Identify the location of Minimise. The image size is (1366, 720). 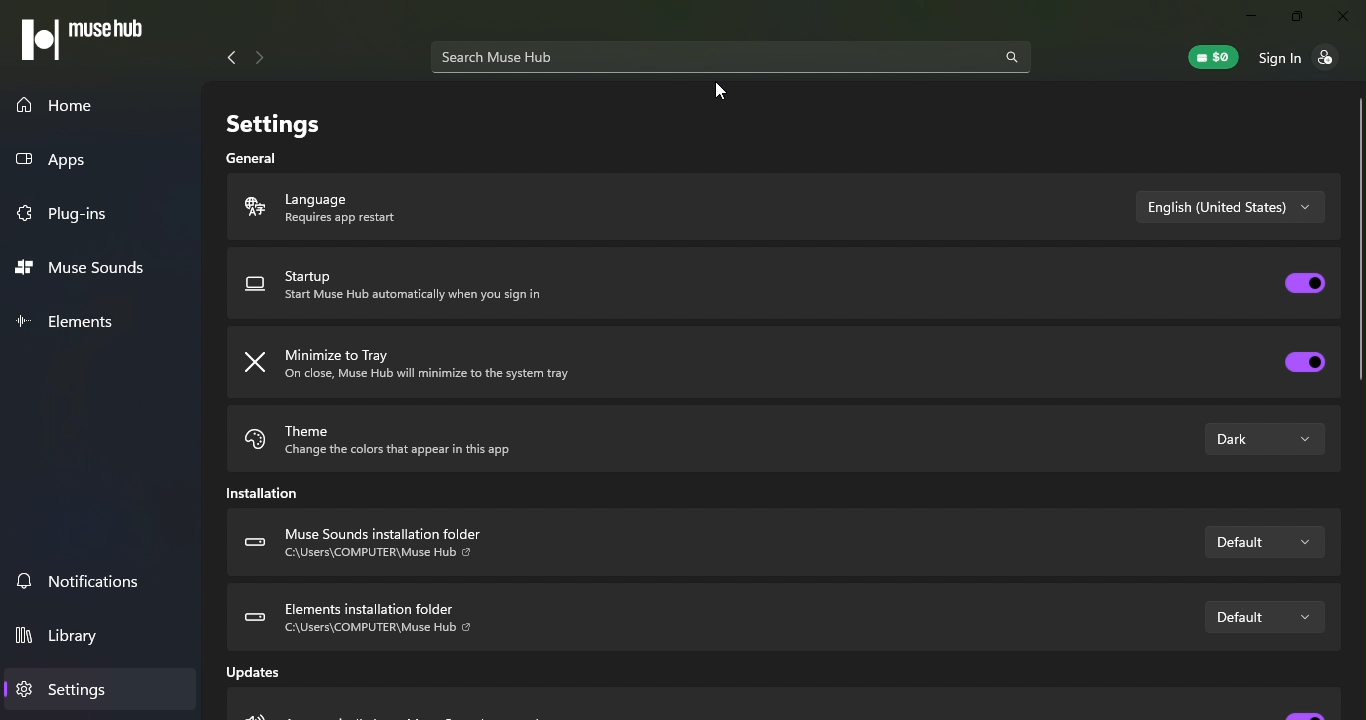
(1251, 17).